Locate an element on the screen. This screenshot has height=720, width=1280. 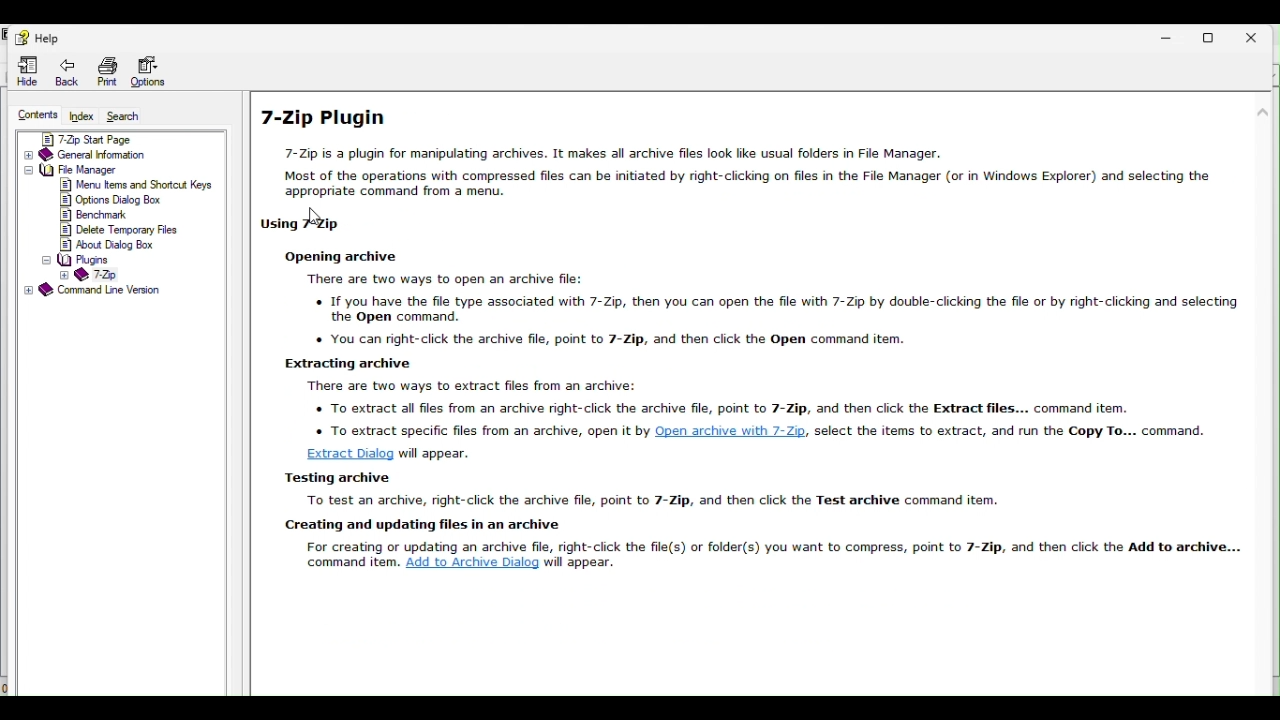
| To test an archive, right-click the archive file, point to 7-Zip, and then click the Test archive command item. is located at coordinates (659, 500).